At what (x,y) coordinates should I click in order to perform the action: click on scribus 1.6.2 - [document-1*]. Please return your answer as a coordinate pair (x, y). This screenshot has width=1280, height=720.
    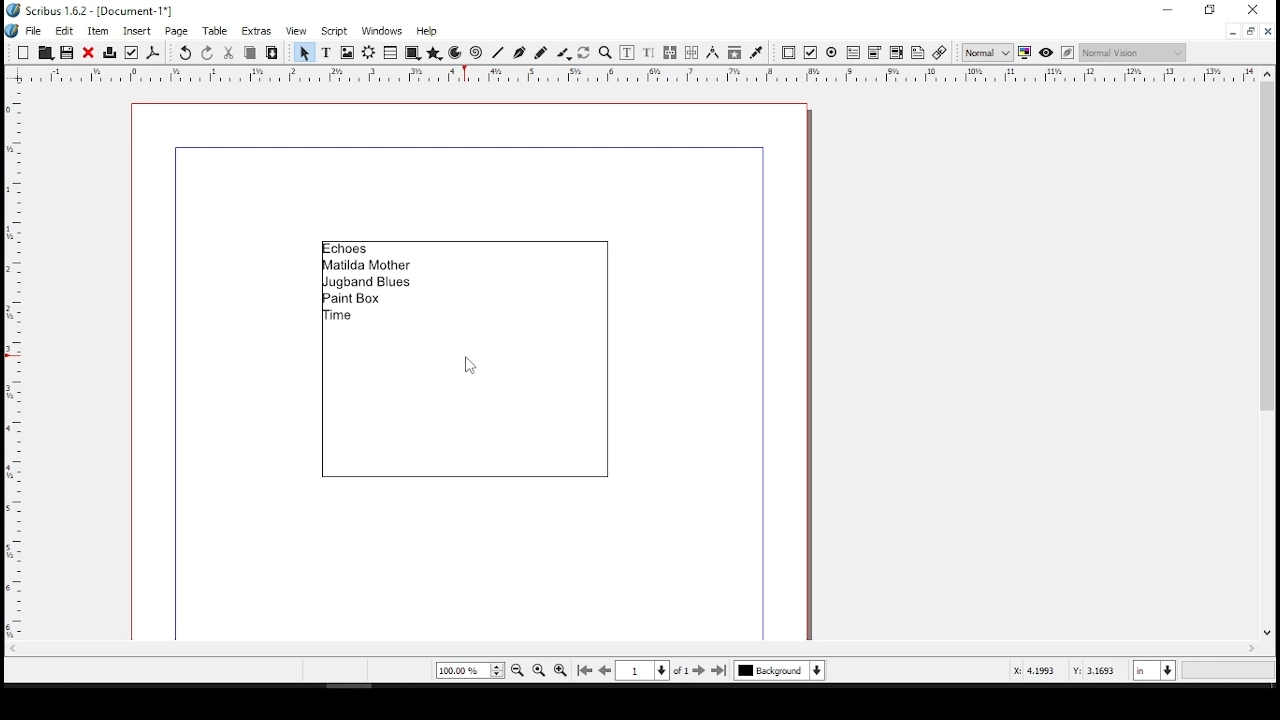
    Looking at the image, I should click on (102, 9).